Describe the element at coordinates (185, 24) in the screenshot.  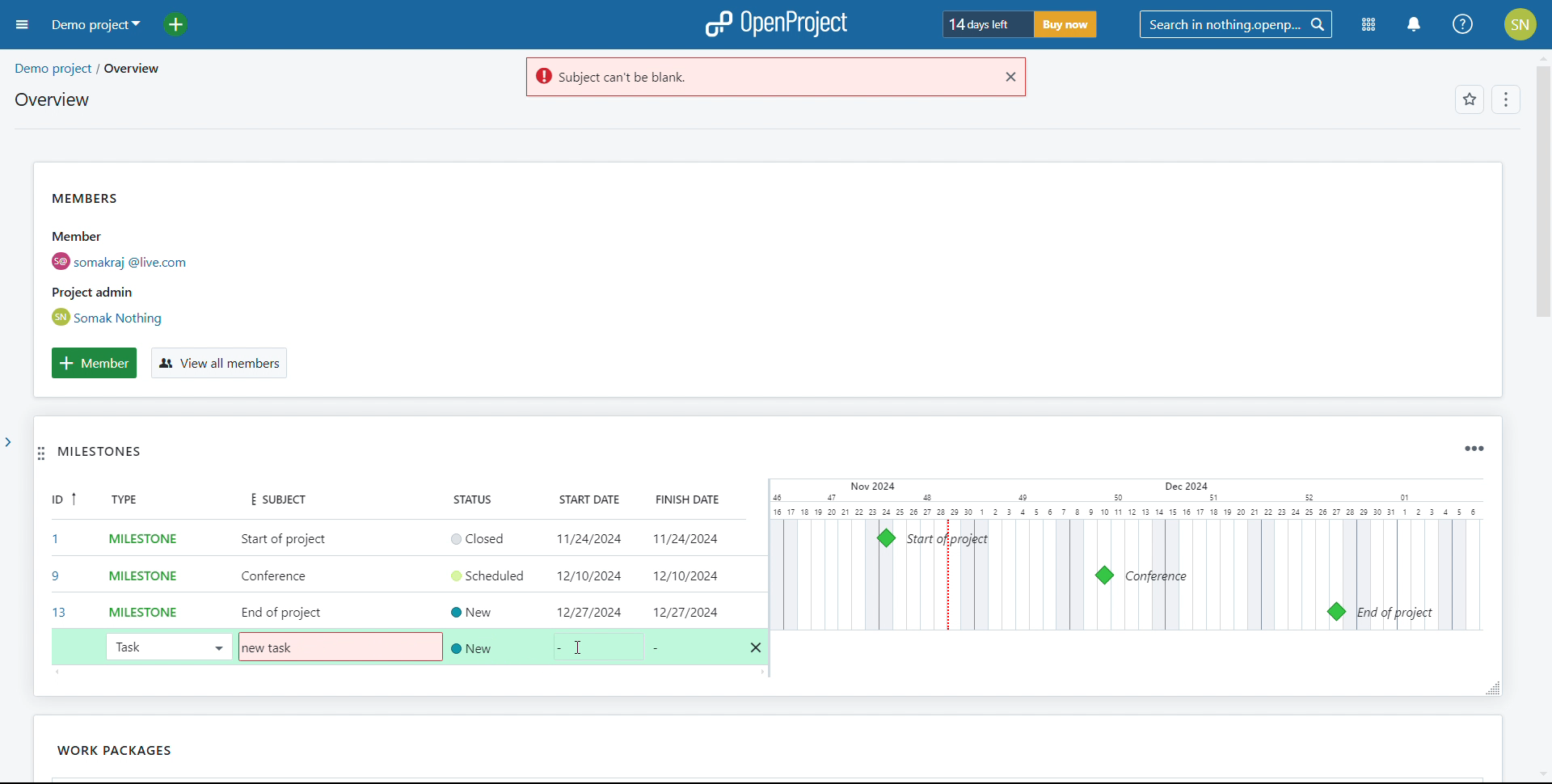
I see `add project` at that location.